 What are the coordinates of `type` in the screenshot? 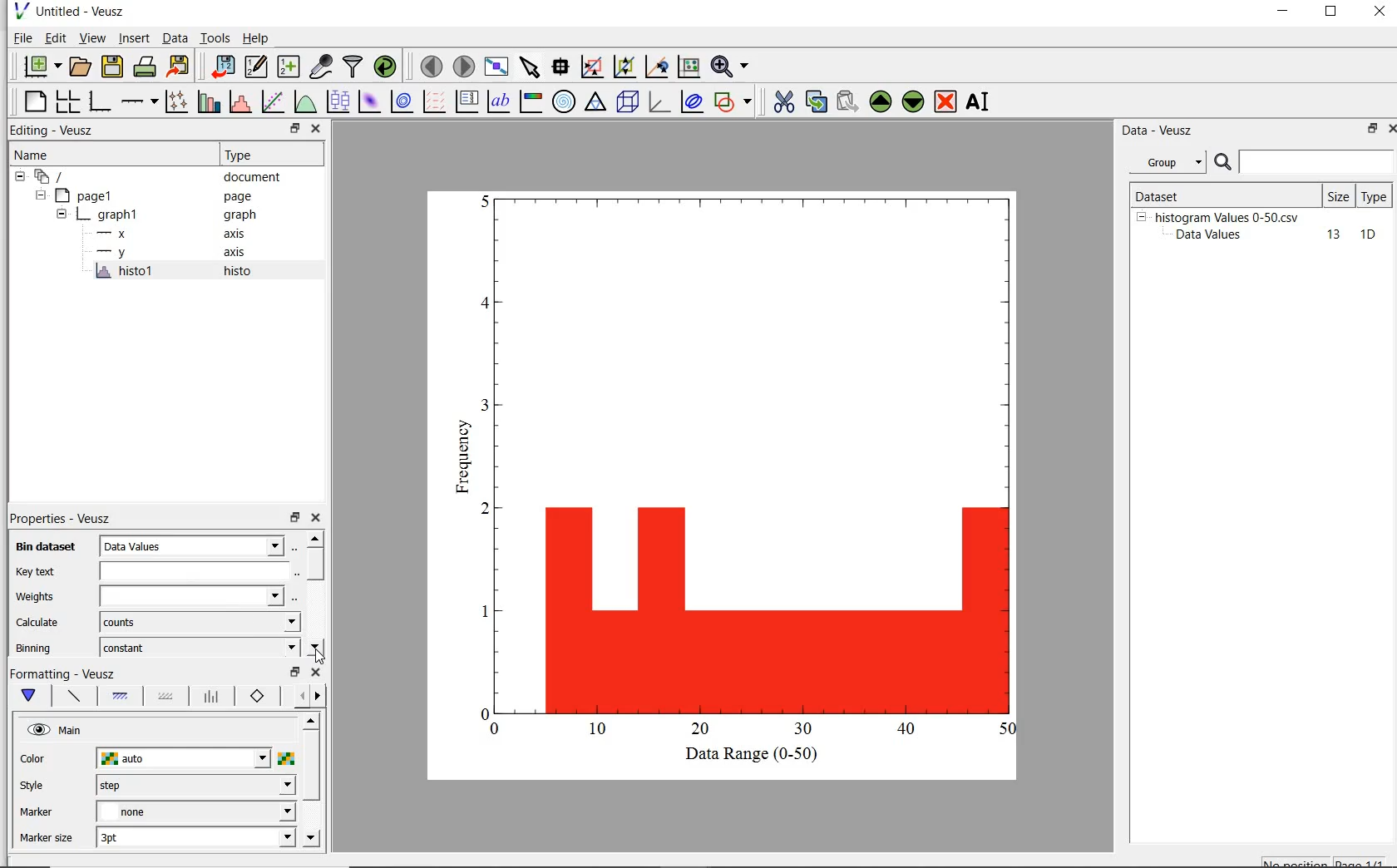 It's located at (1375, 195).